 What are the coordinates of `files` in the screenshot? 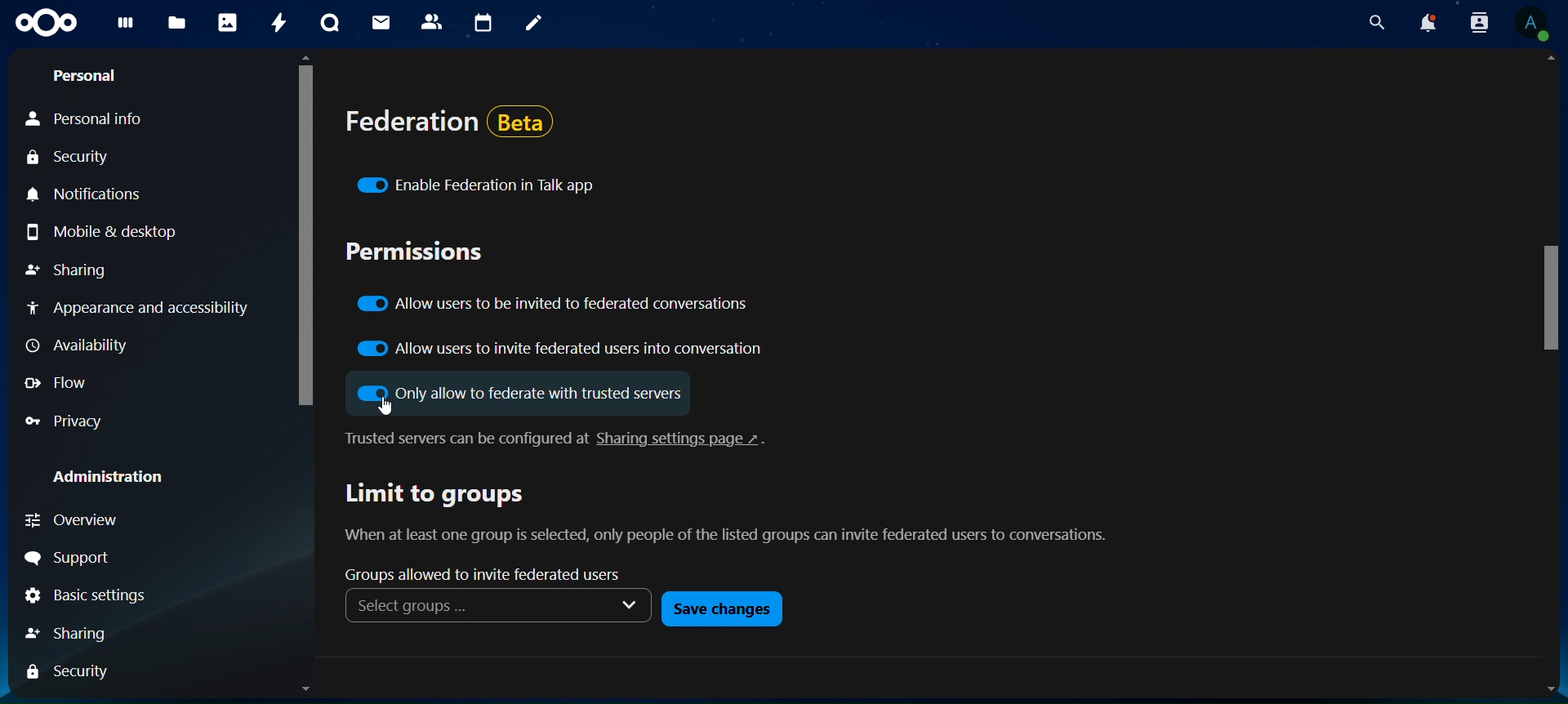 It's located at (176, 24).